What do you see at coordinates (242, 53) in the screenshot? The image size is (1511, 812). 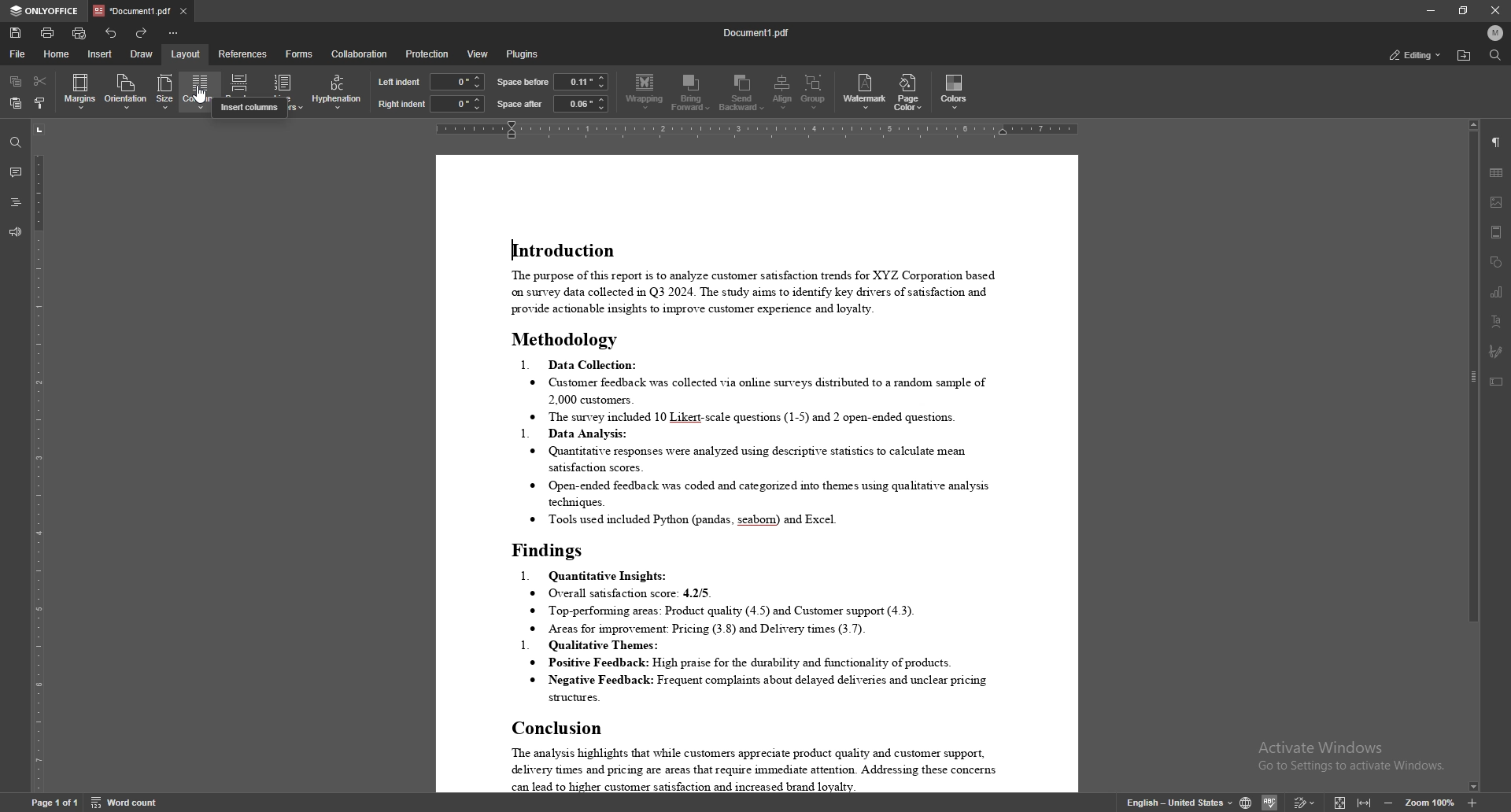 I see `references` at bounding box center [242, 53].